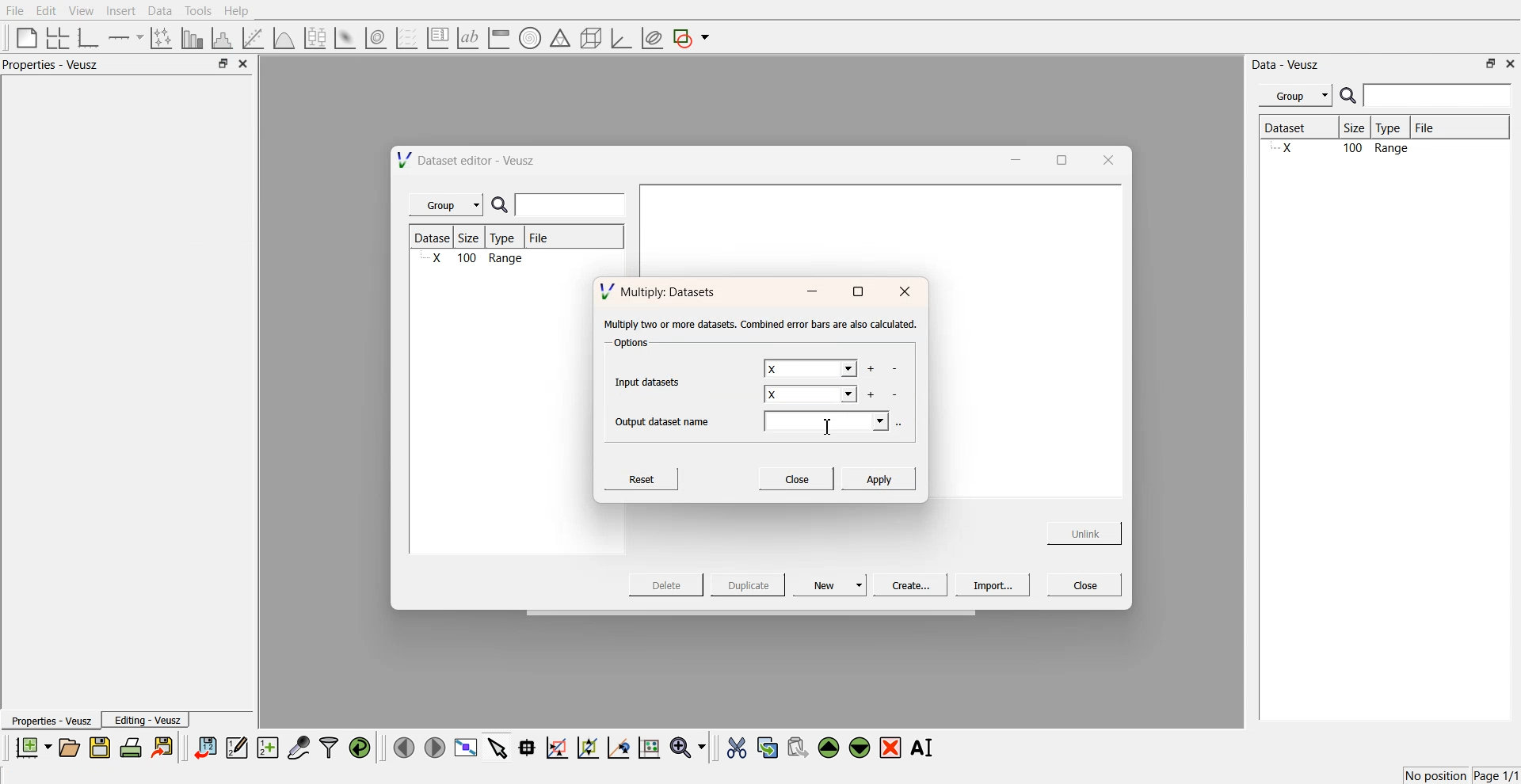 The height and width of the screenshot is (784, 1521). Describe the element at coordinates (468, 160) in the screenshot. I see `Dataset editor - Veusz` at that location.